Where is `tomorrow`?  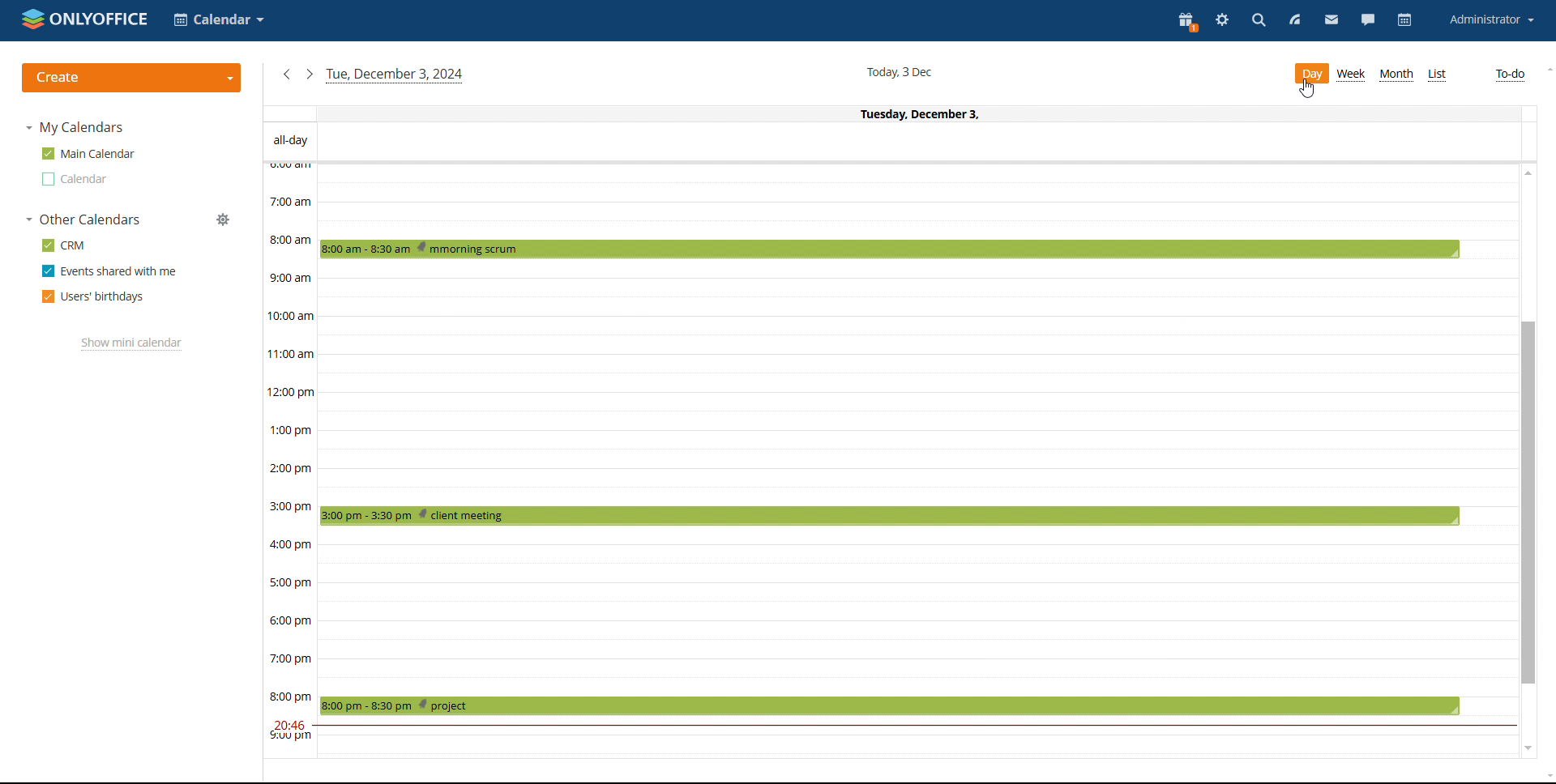 tomorrow is located at coordinates (310, 74).